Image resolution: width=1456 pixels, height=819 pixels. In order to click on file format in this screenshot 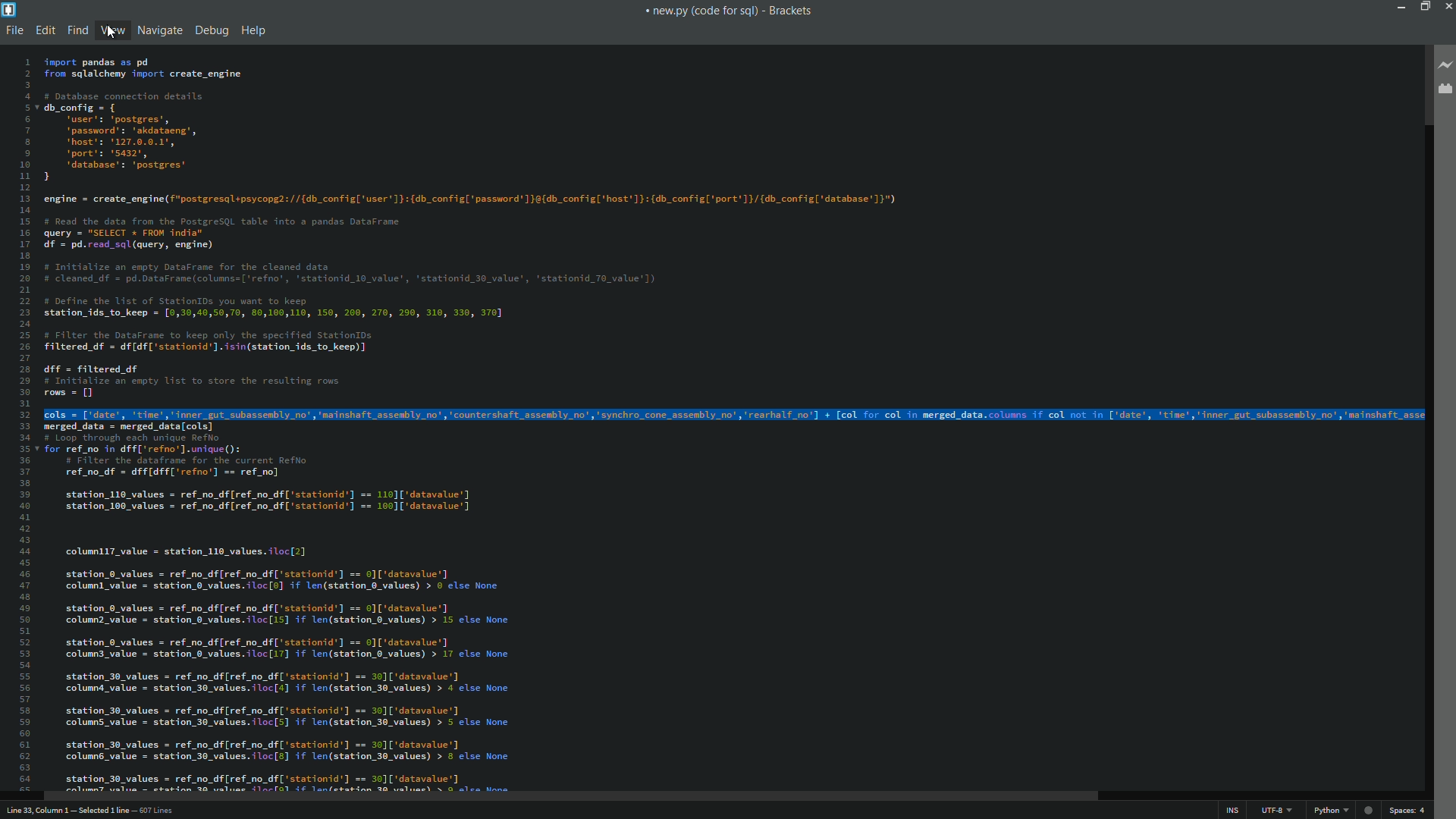, I will do `click(1329, 811)`.